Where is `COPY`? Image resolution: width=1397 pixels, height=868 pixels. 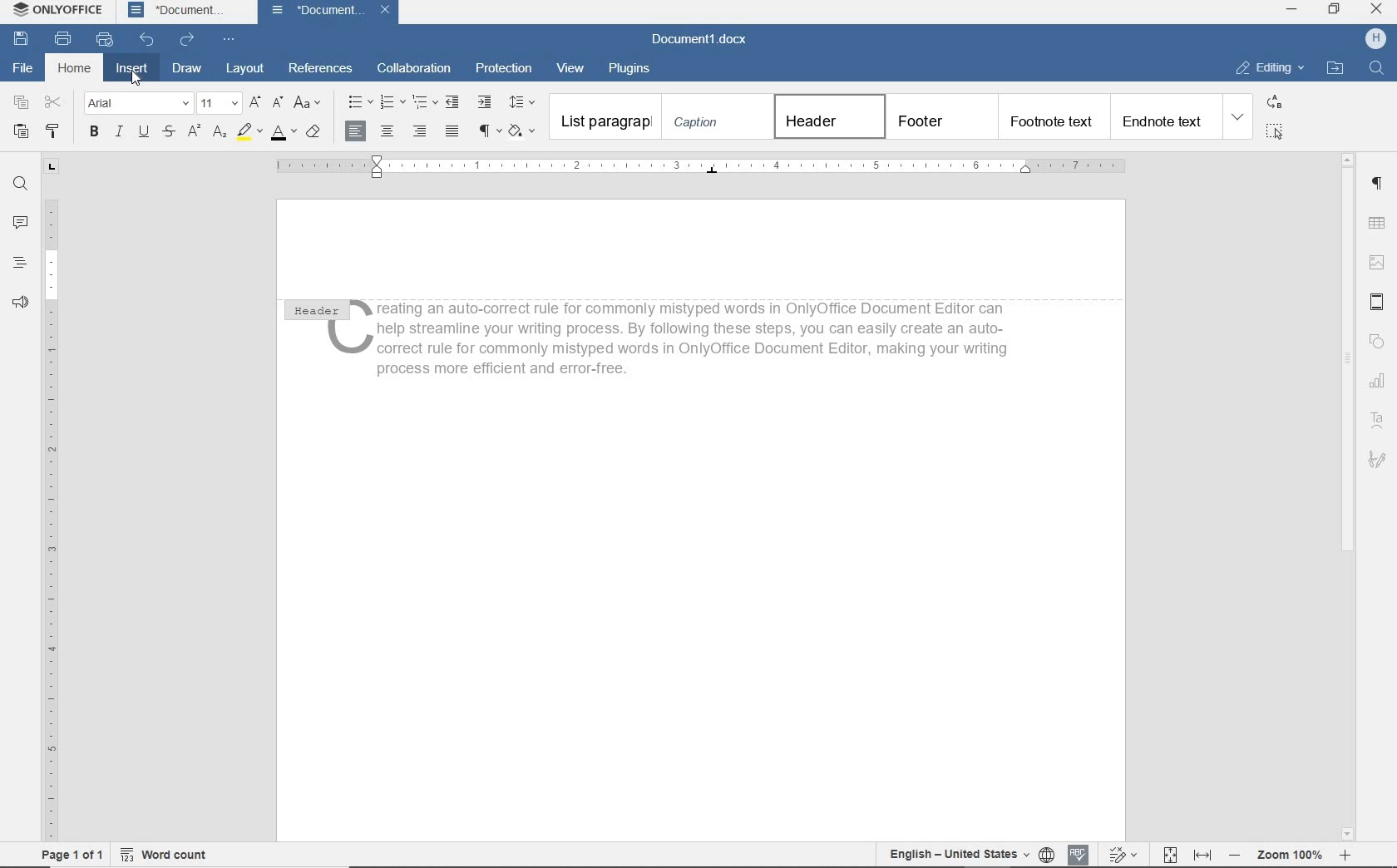
COPY is located at coordinates (22, 102).